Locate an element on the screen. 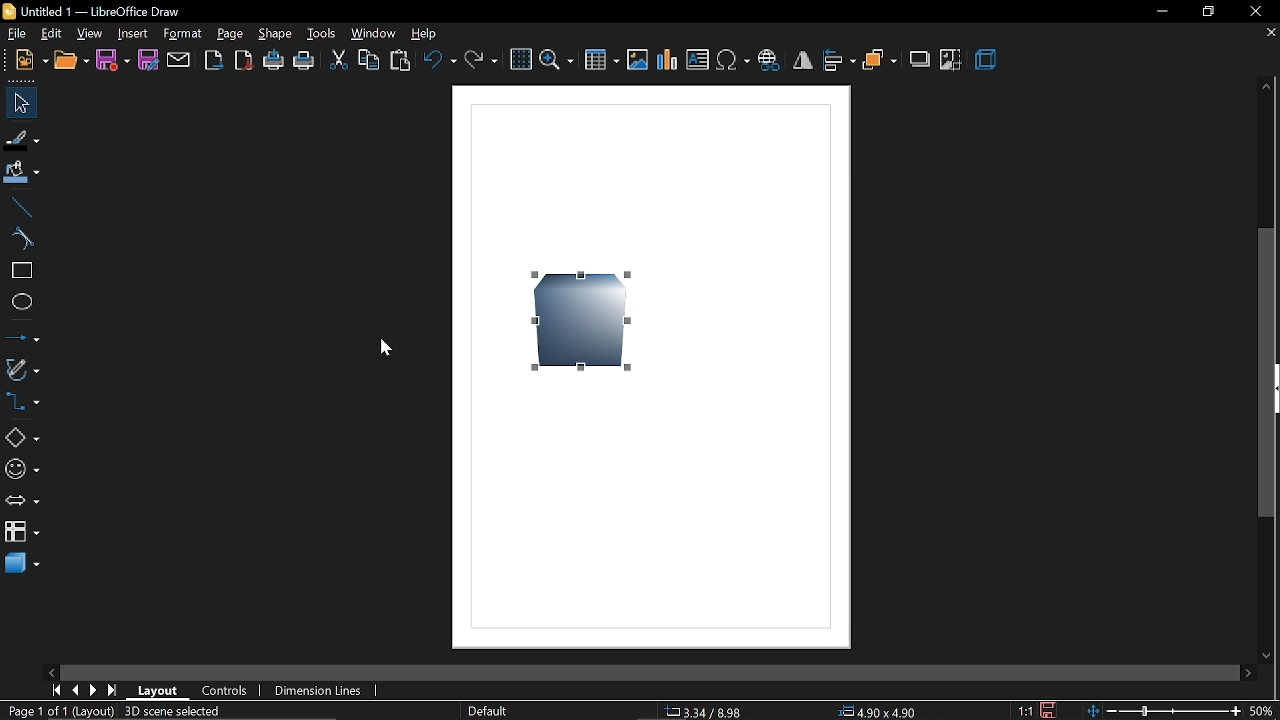 The image size is (1280, 720). undo is located at coordinates (440, 62).